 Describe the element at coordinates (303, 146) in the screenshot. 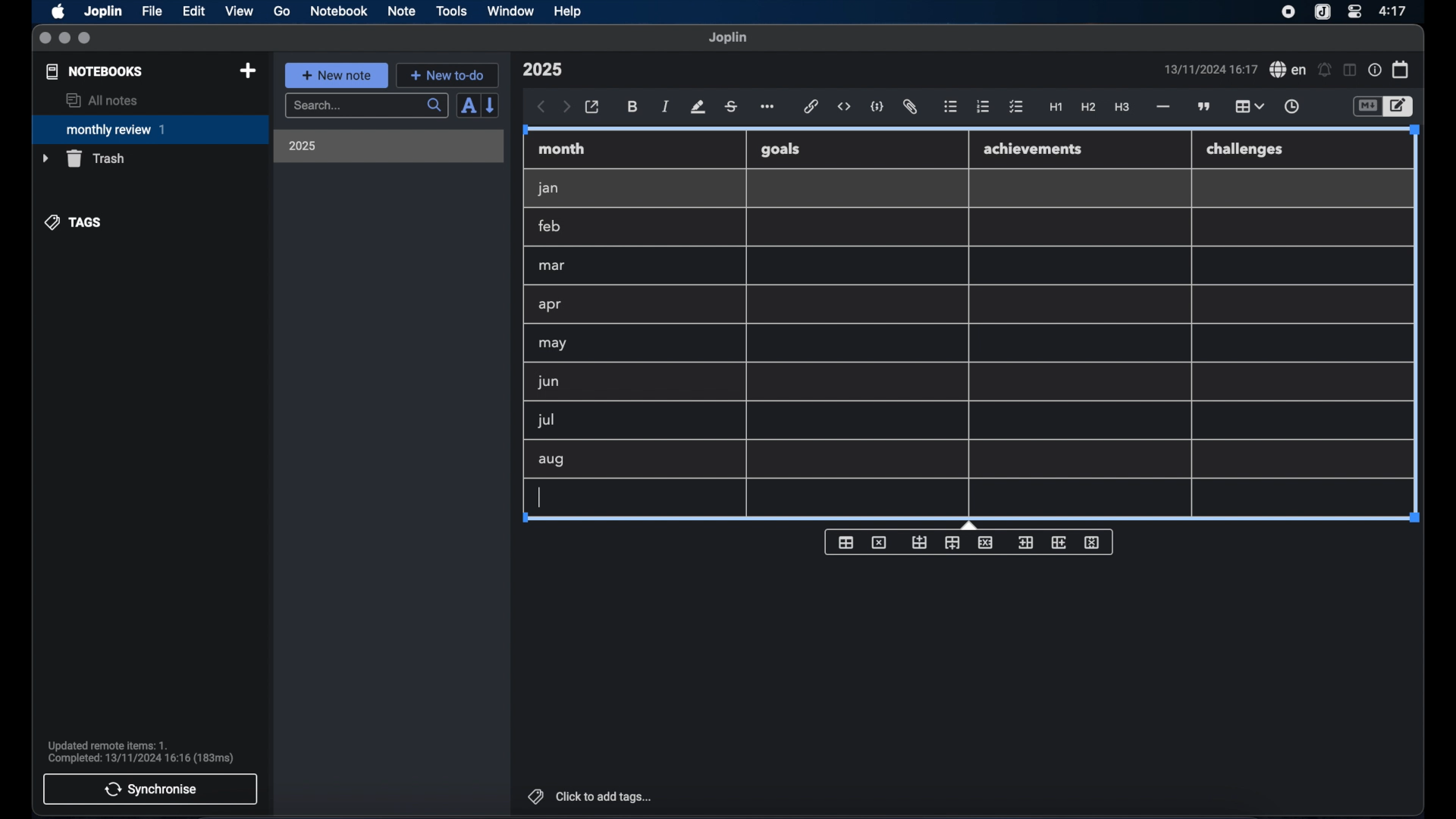

I see `2025` at that location.